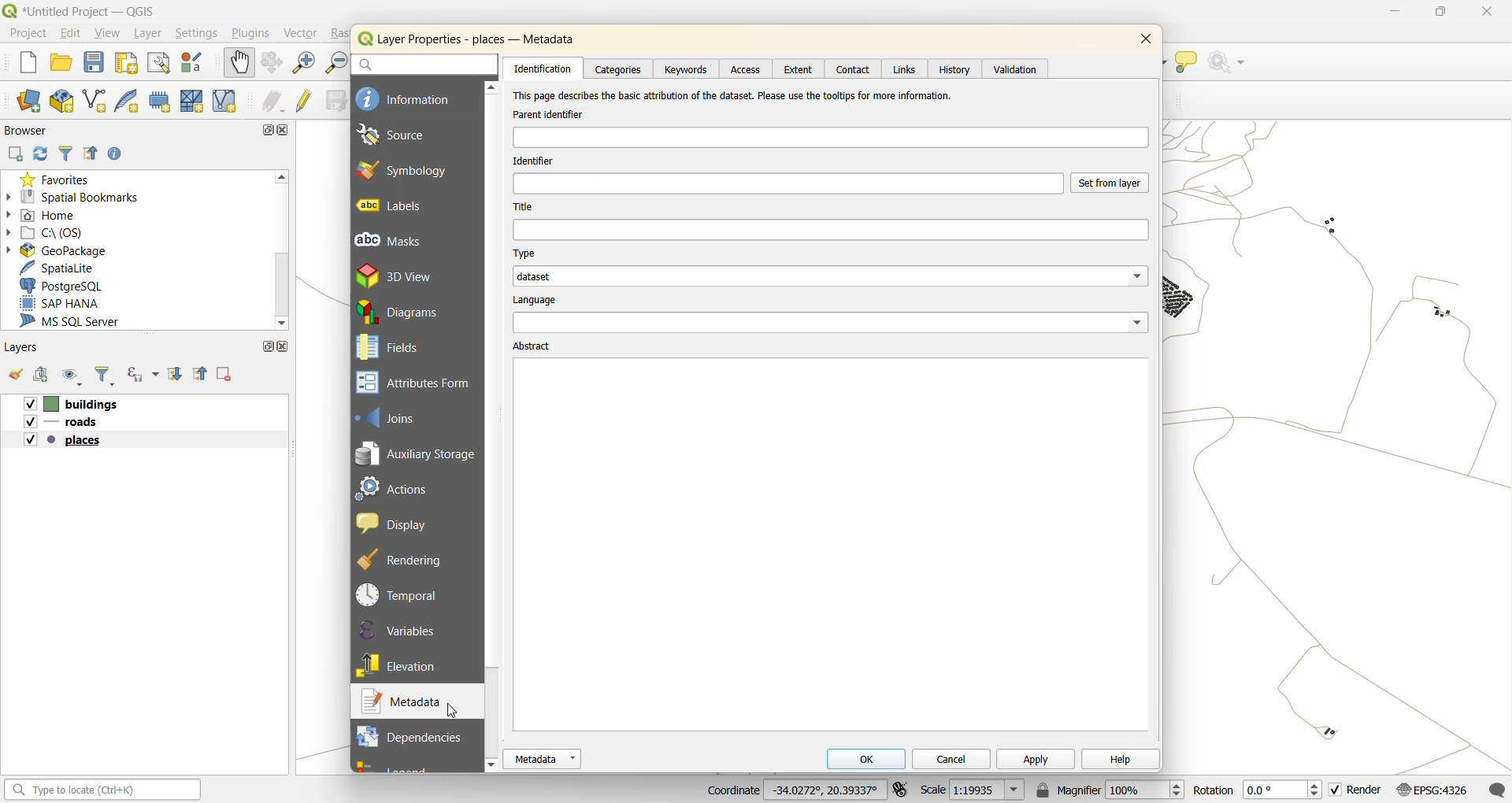 This screenshot has width=1512, height=803. What do you see at coordinates (92, 154) in the screenshot?
I see `collapse all` at bounding box center [92, 154].